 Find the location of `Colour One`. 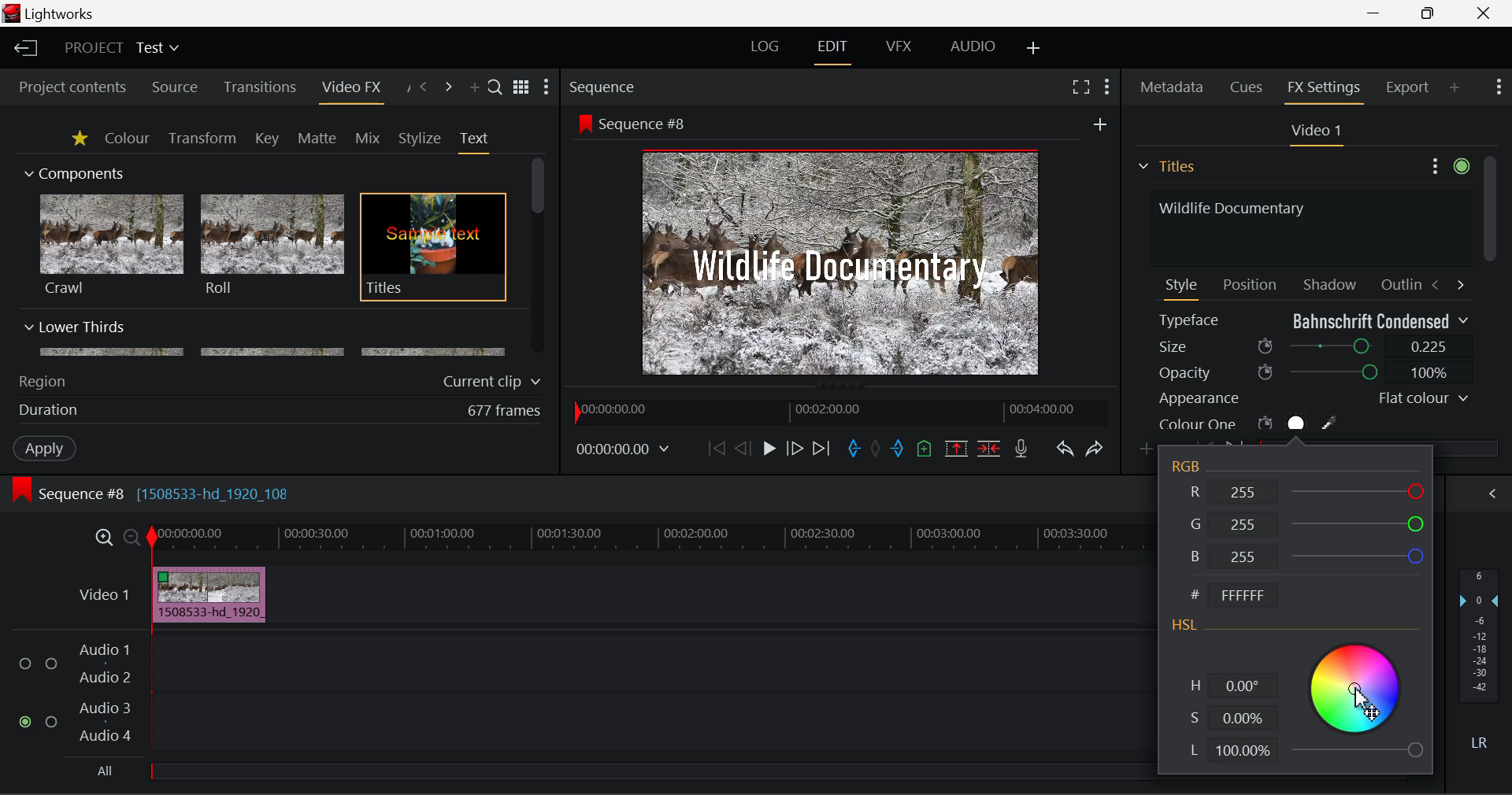

Colour One is located at coordinates (1274, 423).